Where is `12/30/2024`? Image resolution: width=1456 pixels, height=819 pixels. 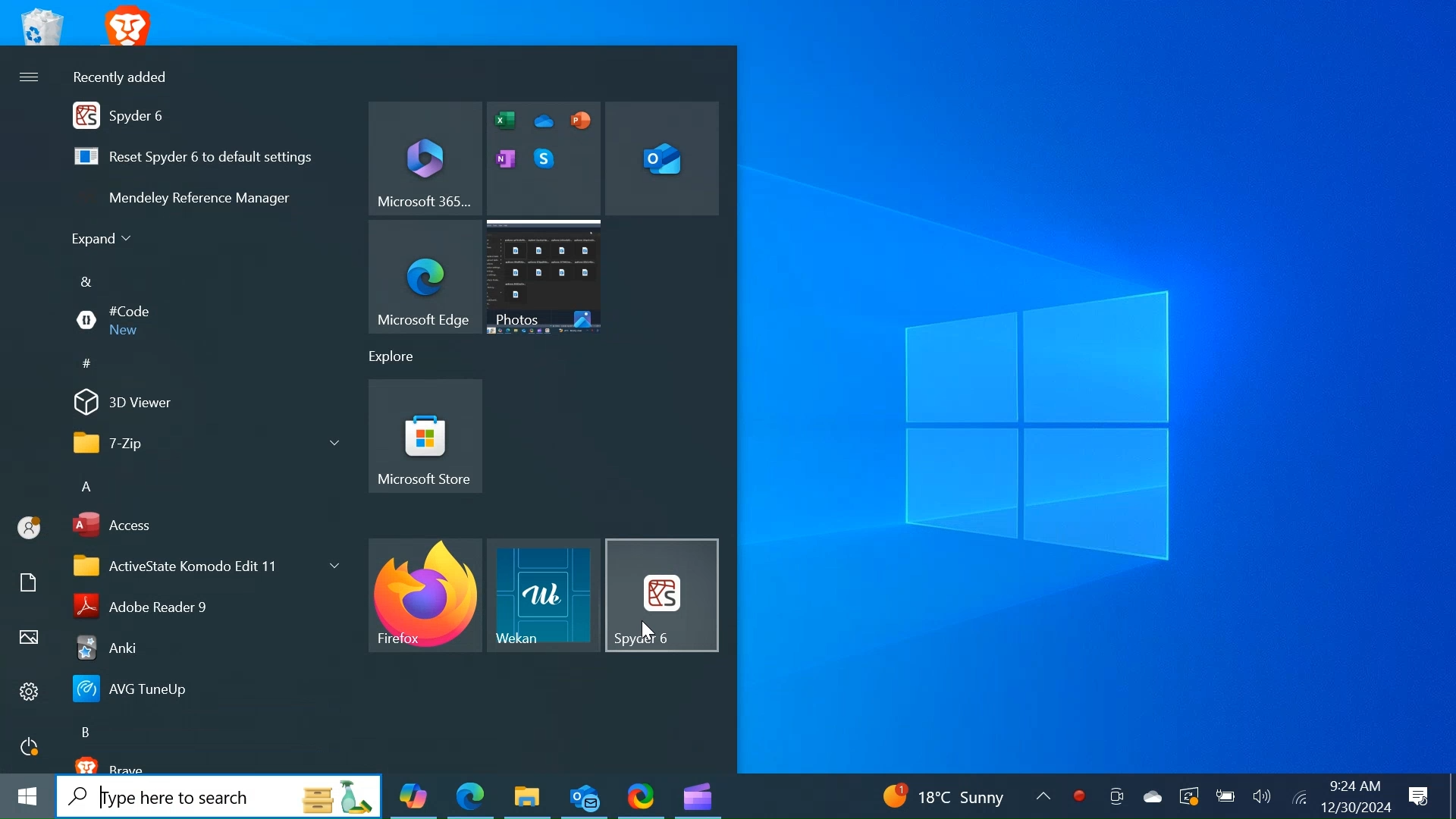 12/30/2024 is located at coordinates (1354, 807).